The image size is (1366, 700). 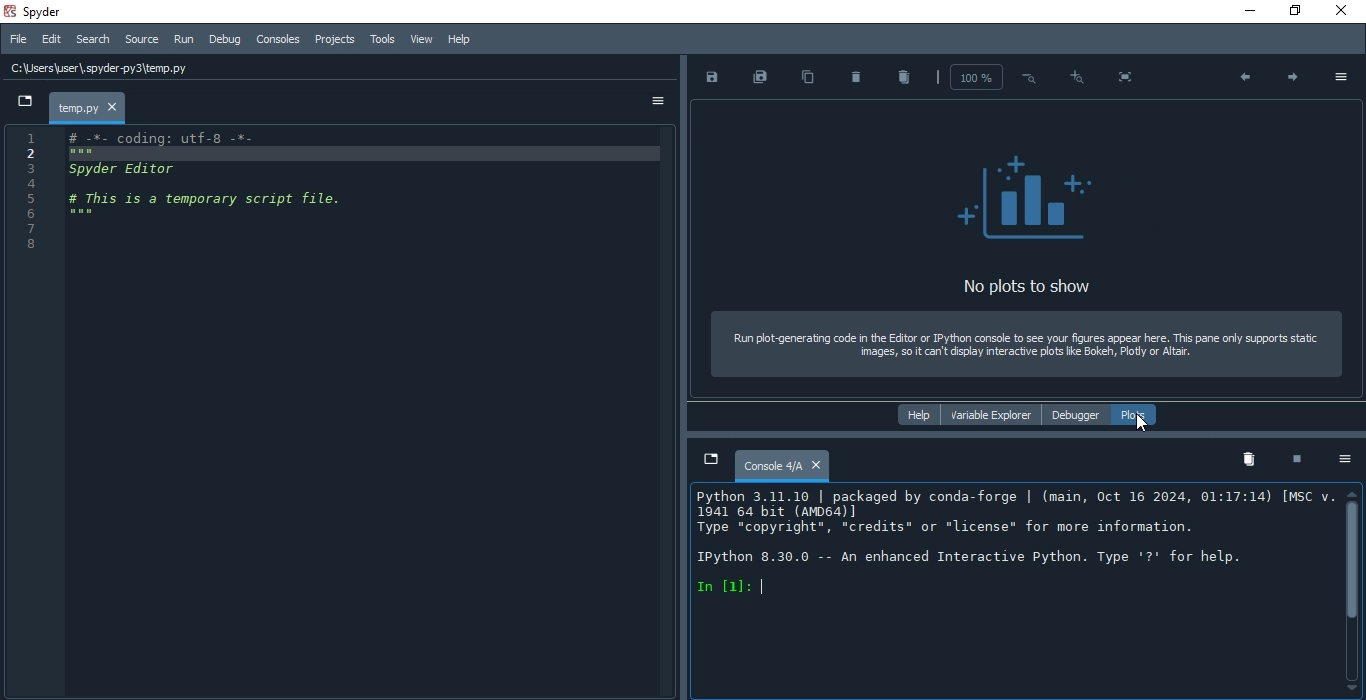 I want to click on full screen, so click(x=1130, y=77).